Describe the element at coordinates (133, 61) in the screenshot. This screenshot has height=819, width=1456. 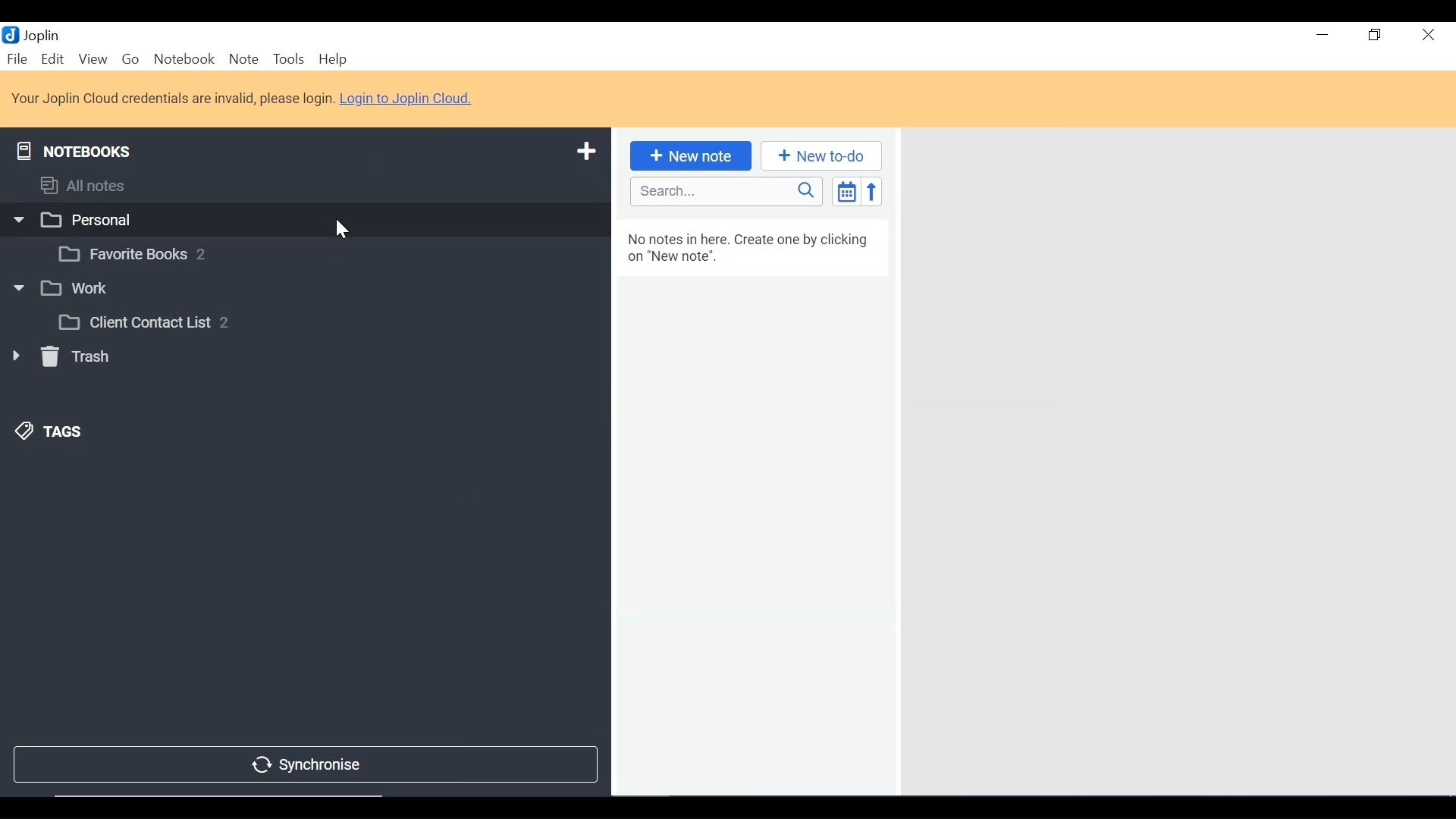
I see `Go` at that location.